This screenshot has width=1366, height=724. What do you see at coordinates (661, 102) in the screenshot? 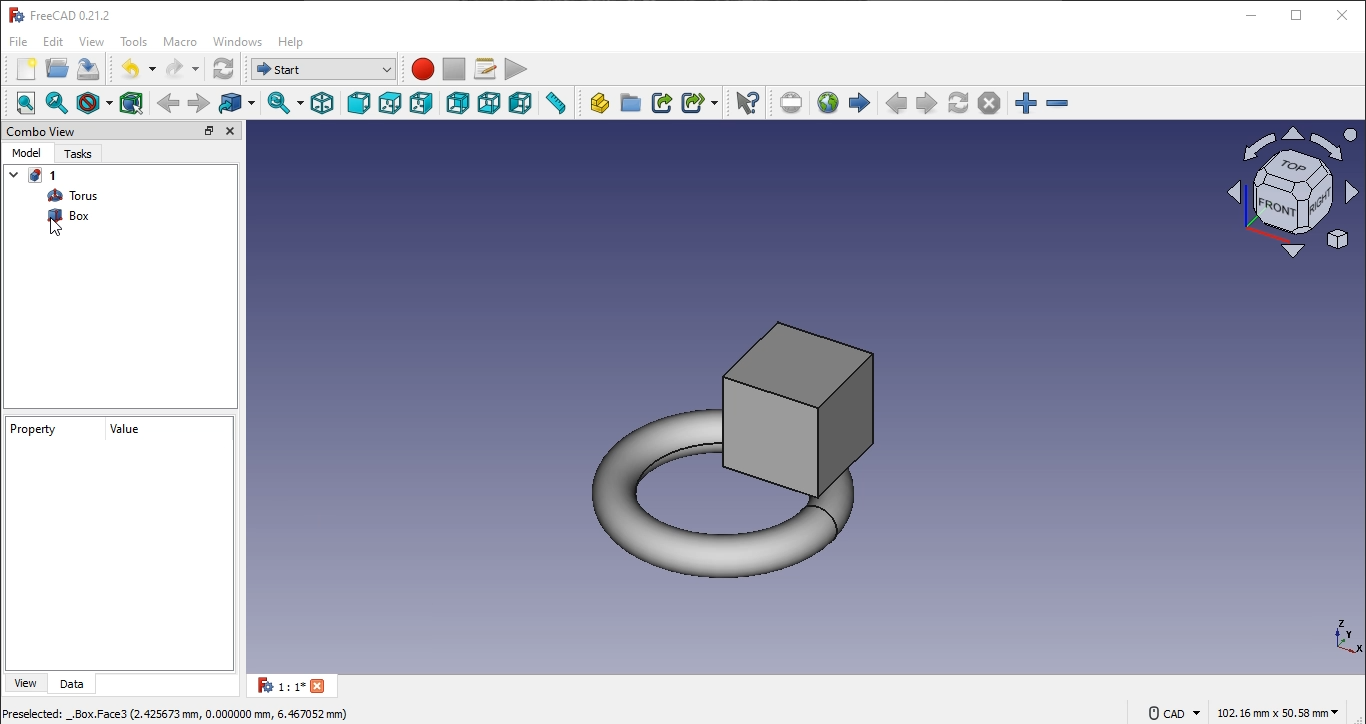
I see `make link` at bounding box center [661, 102].